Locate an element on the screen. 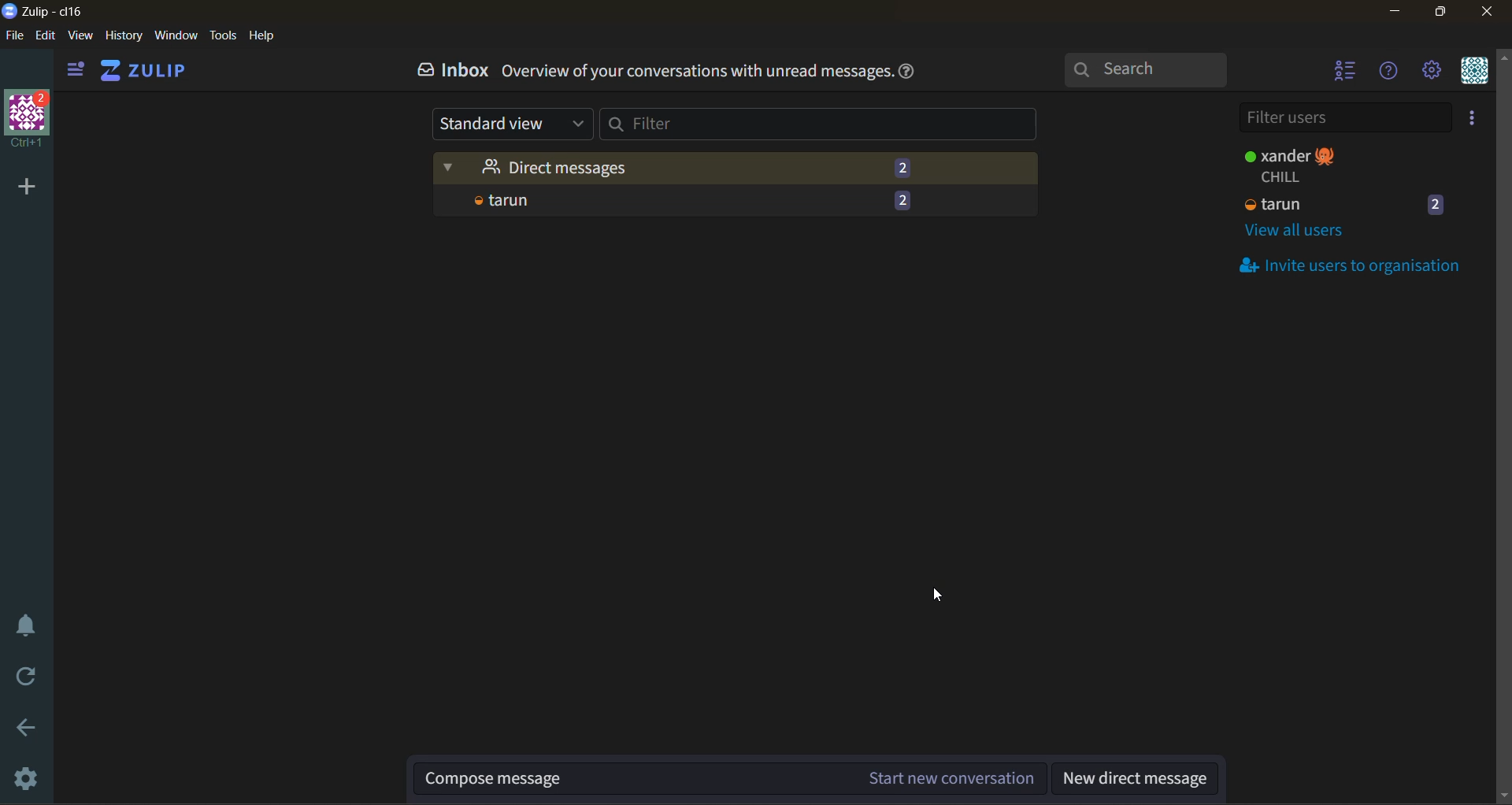 The width and height of the screenshot is (1512, 805). invite users to organisation is located at coordinates (1362, 264).